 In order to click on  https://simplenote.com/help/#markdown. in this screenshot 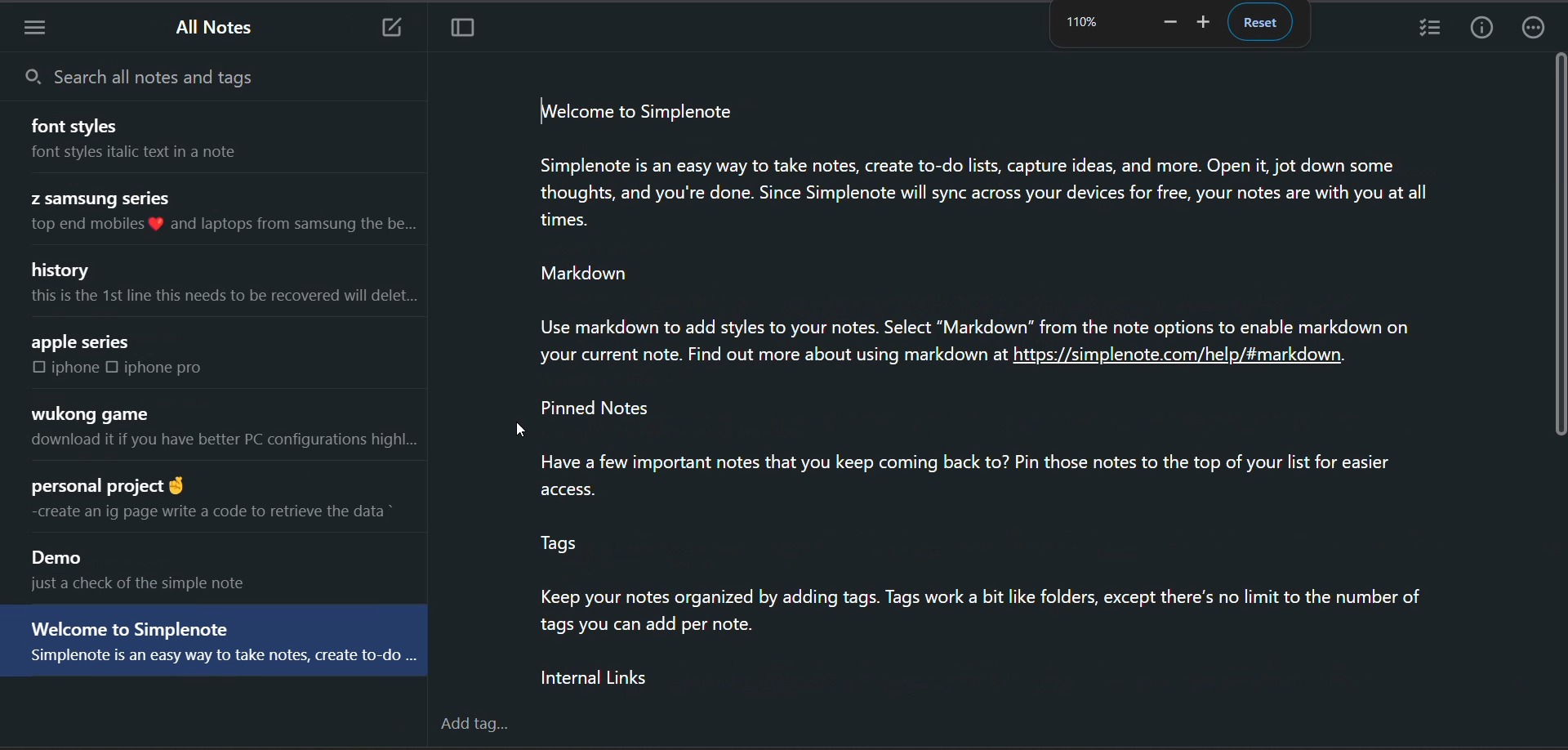, I will do `click(1188, 359)`.